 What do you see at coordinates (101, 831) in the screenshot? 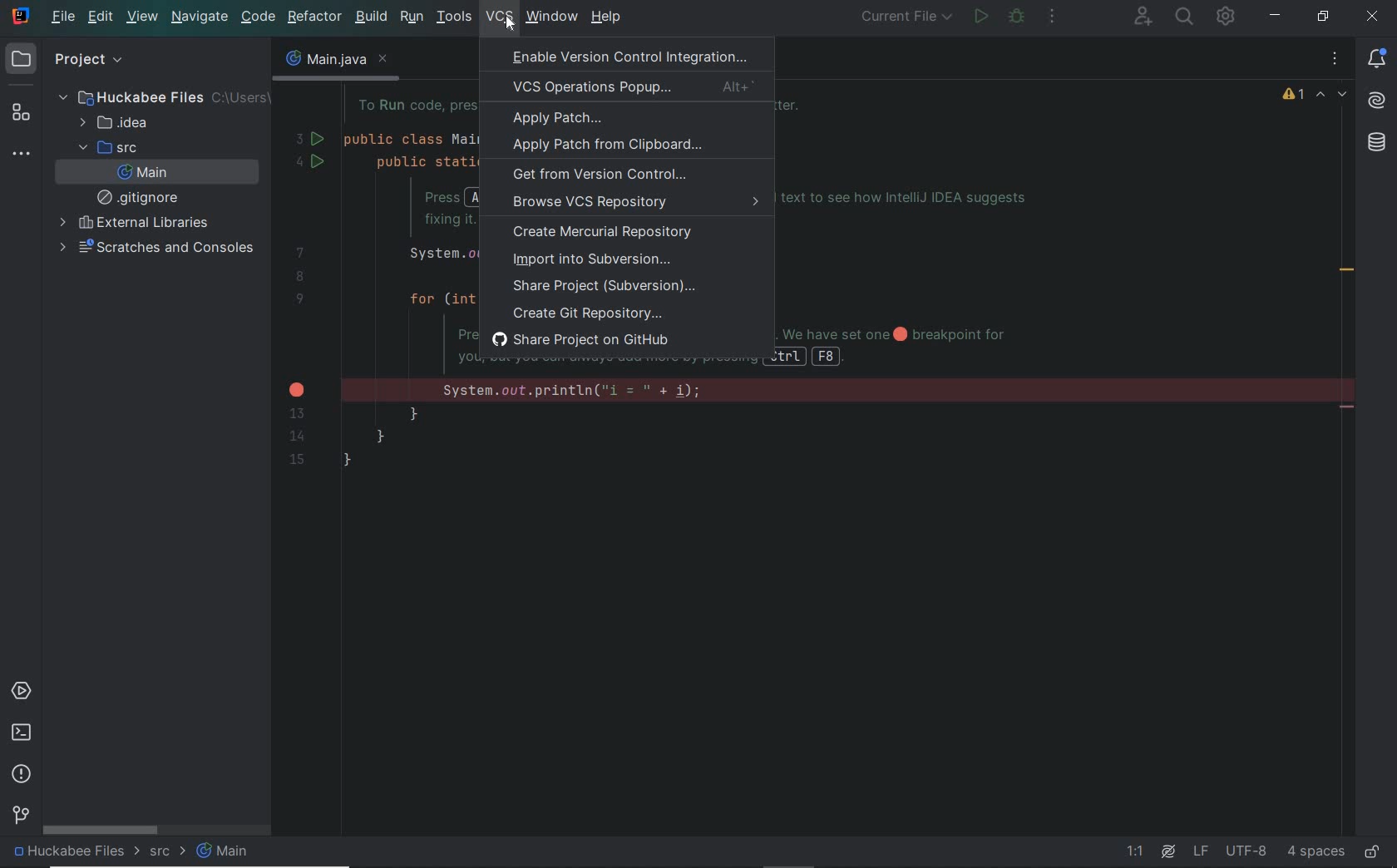
I see `scrollbar` at bounding box center [101, 831].